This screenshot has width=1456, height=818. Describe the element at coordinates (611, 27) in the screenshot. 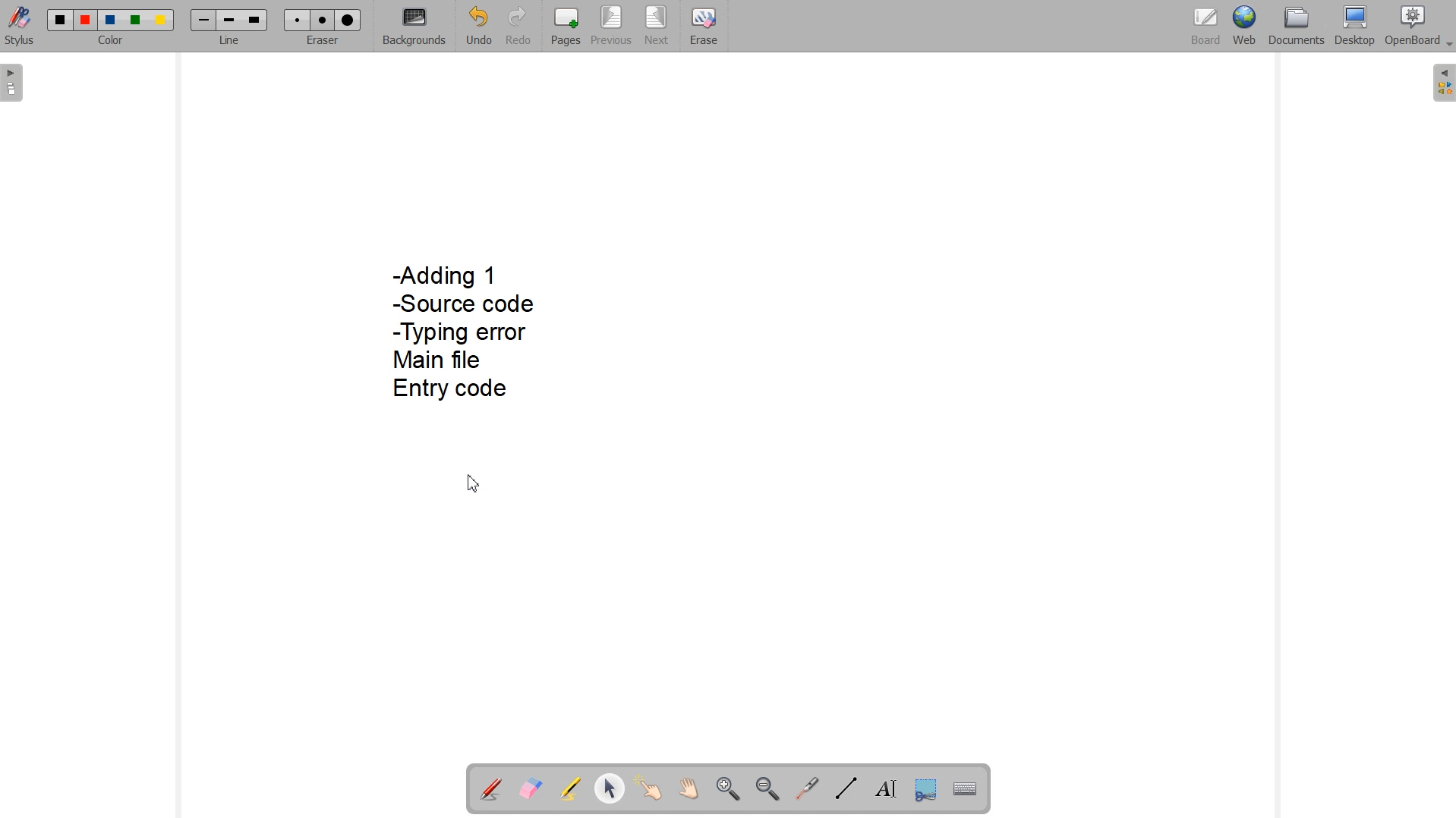

I see `Previous` at that location.